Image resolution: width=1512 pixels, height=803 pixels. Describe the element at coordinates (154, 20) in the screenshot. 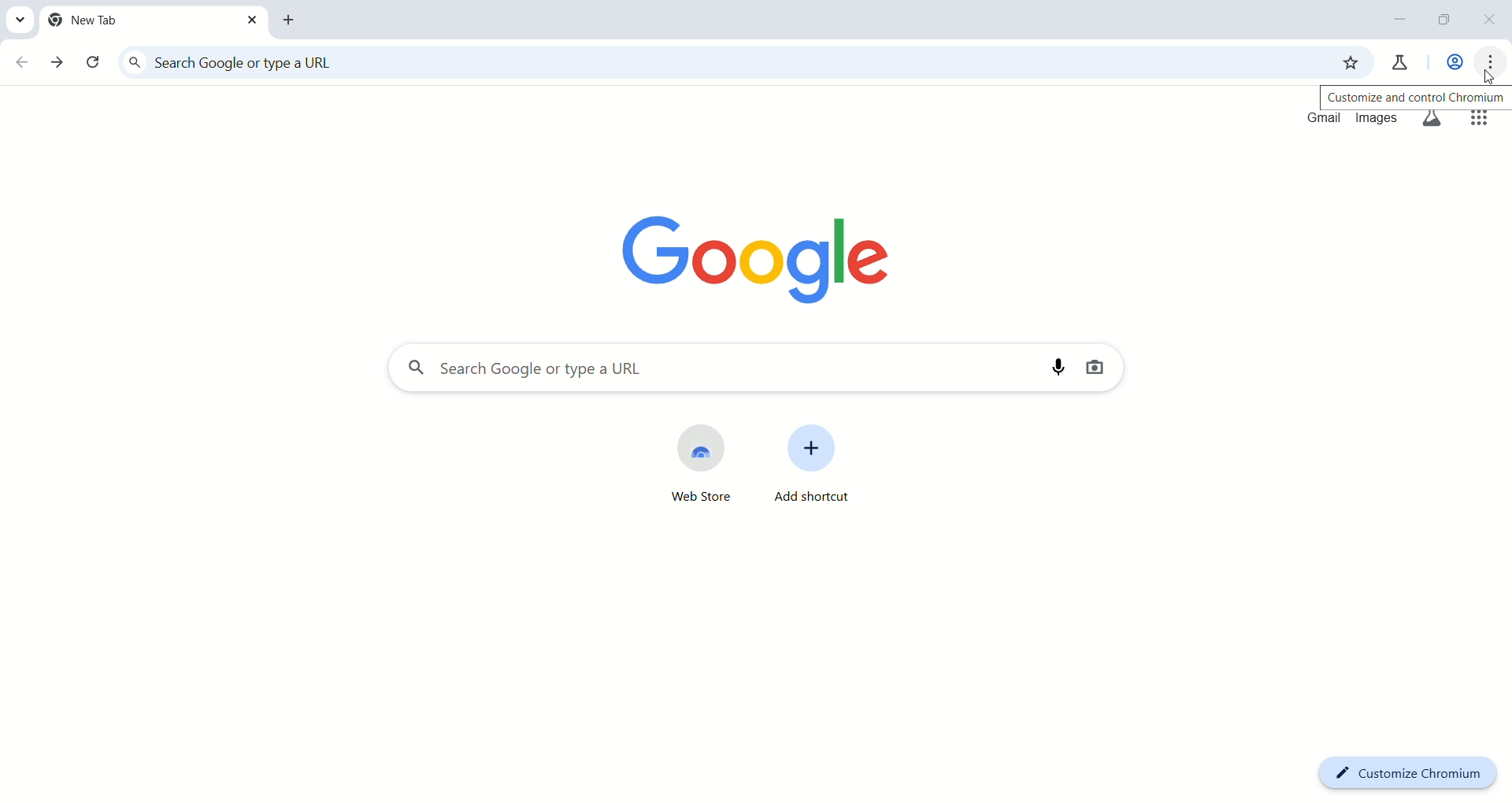

I see `current tab` at that location.